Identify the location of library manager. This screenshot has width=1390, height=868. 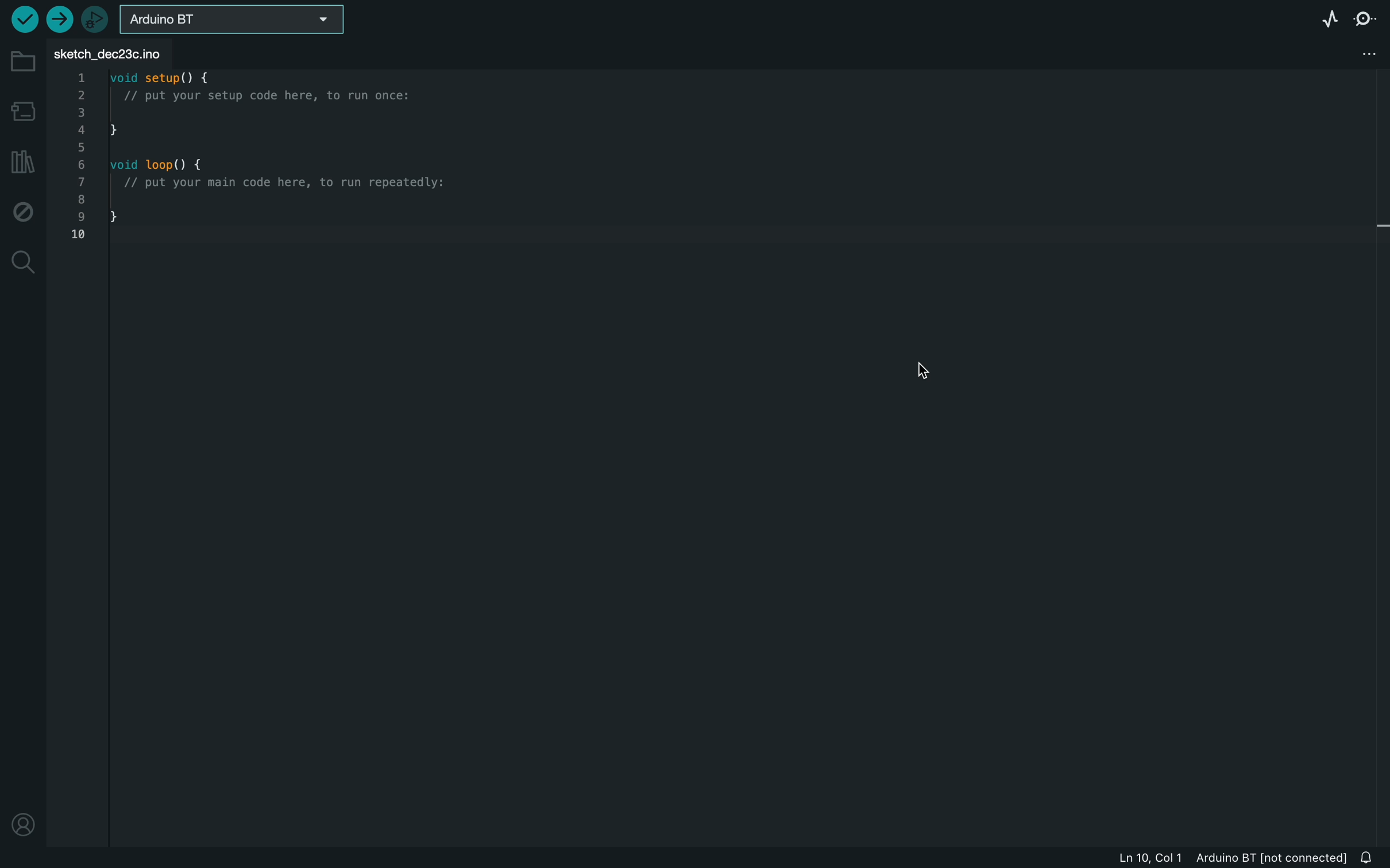
(23, 160).